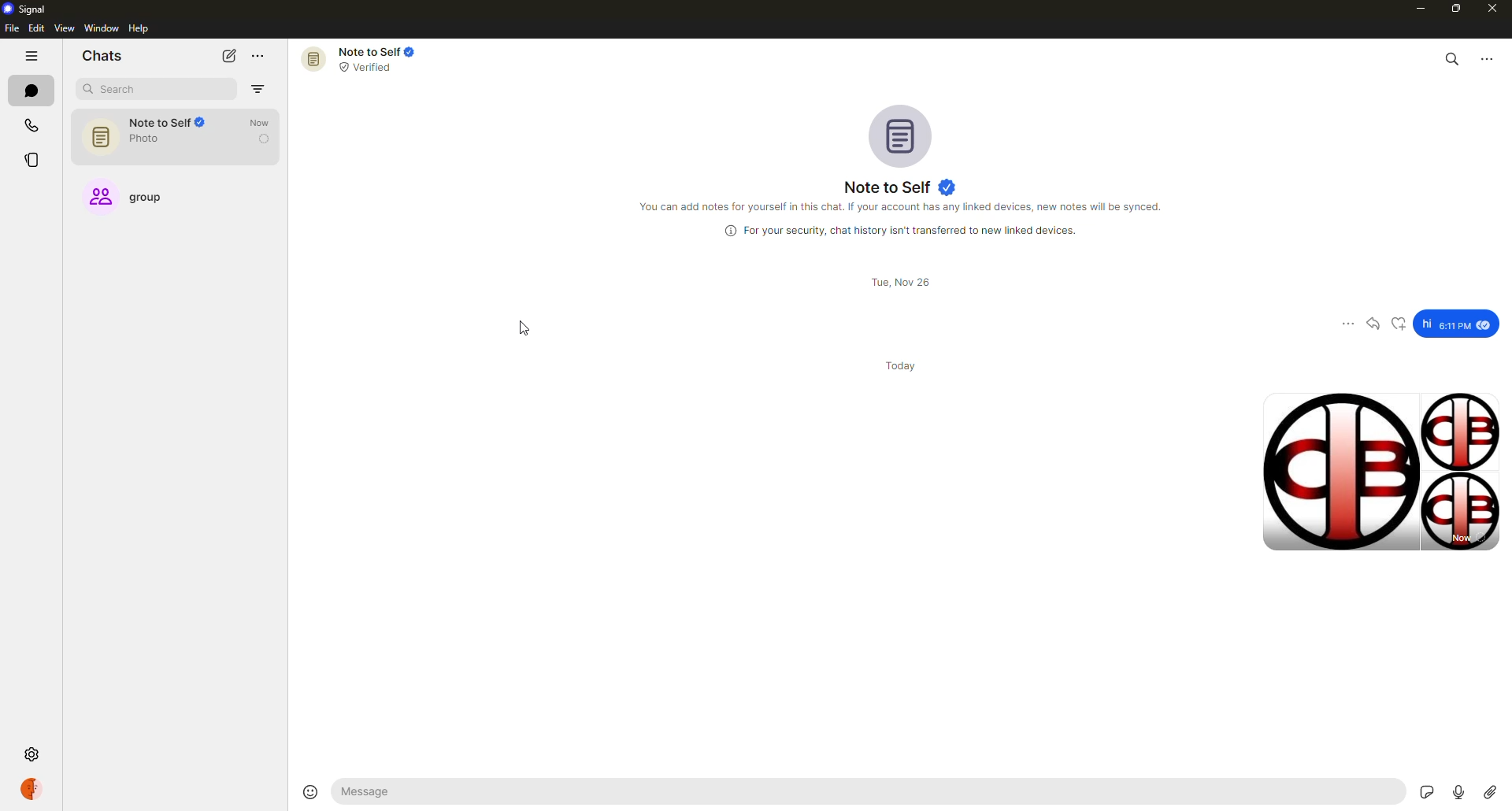 This screenshot has width=1512, height=811. I want to click on minimize, so click(1414, 9).